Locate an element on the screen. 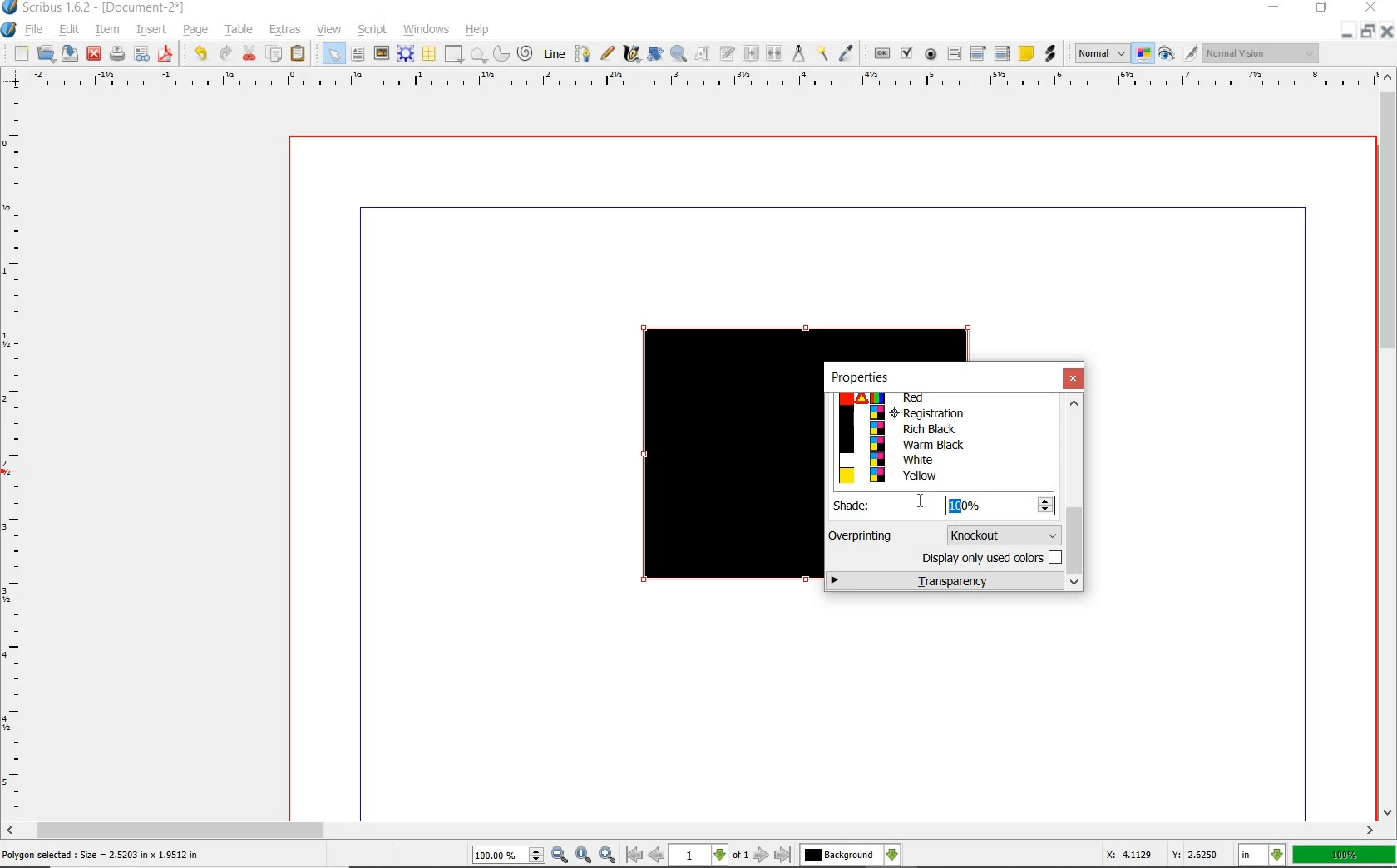  open is located at coordinates (45, 55).